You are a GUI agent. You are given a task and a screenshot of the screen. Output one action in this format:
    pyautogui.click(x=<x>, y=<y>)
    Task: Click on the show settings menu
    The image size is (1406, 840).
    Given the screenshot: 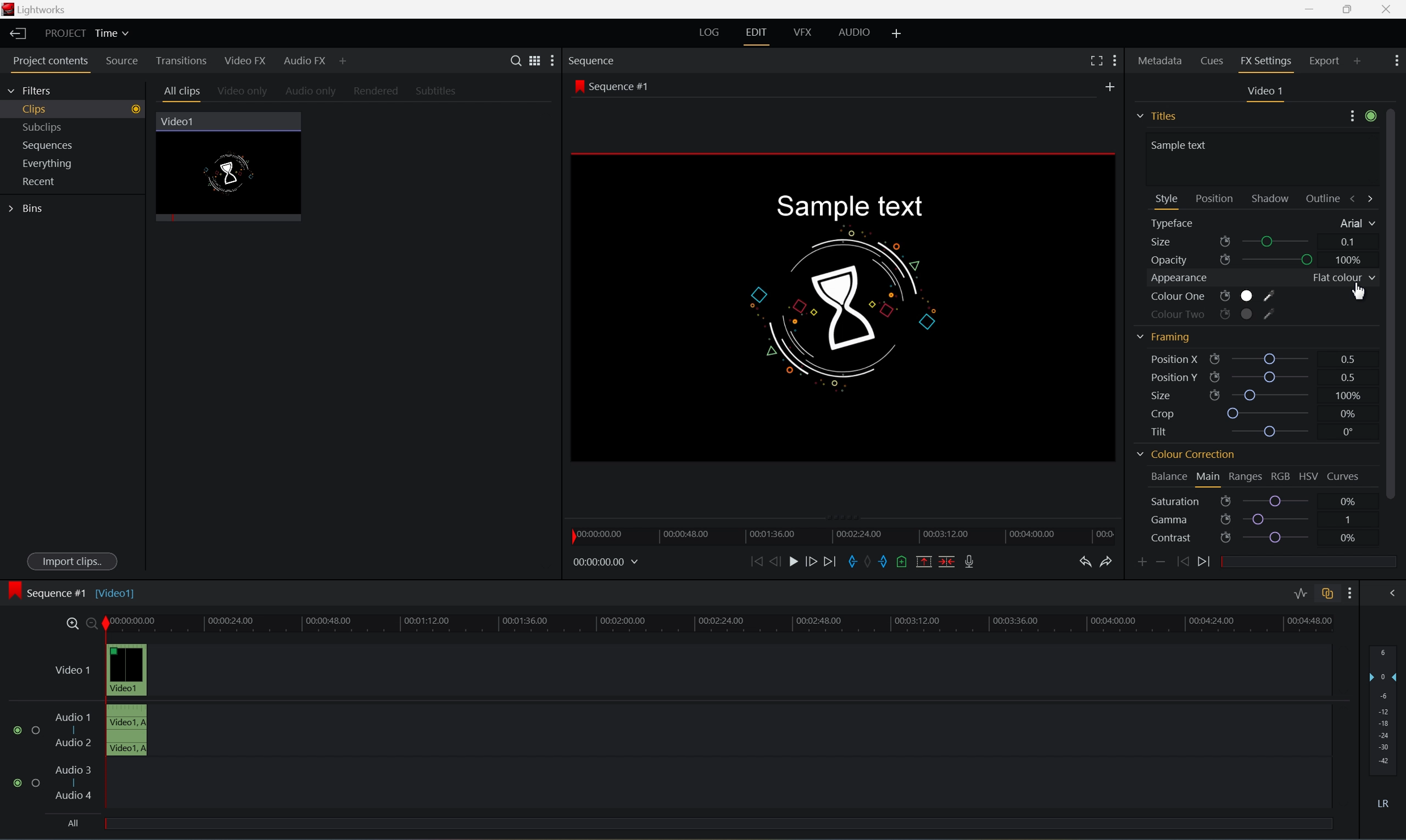 What is the action you would take?
    pyautogui.click(x=1348, y=593)
    